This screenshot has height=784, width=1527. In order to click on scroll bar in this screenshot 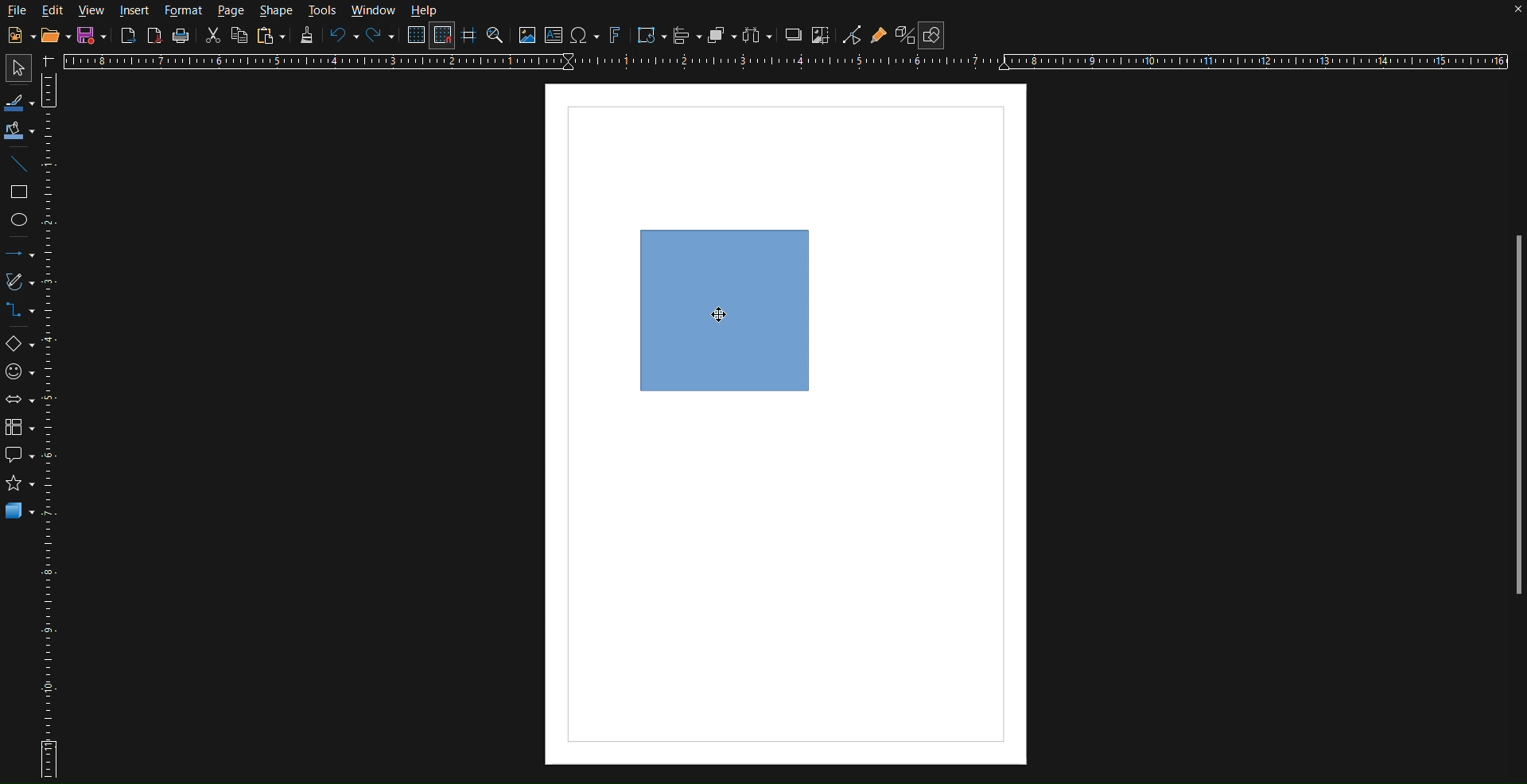, I will do `click(1510, 421)`.